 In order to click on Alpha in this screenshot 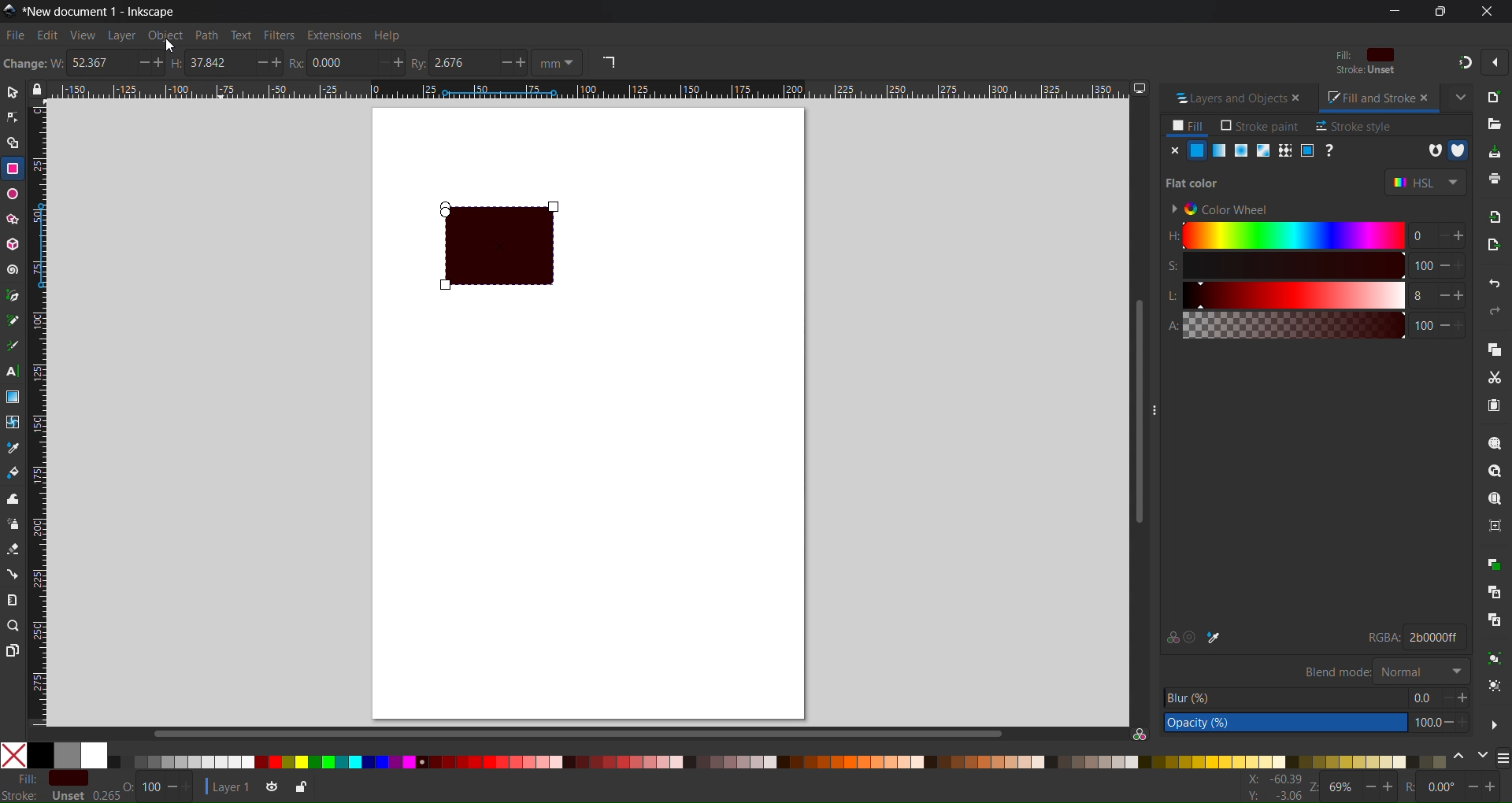, I will do `click(1282, 325)`.